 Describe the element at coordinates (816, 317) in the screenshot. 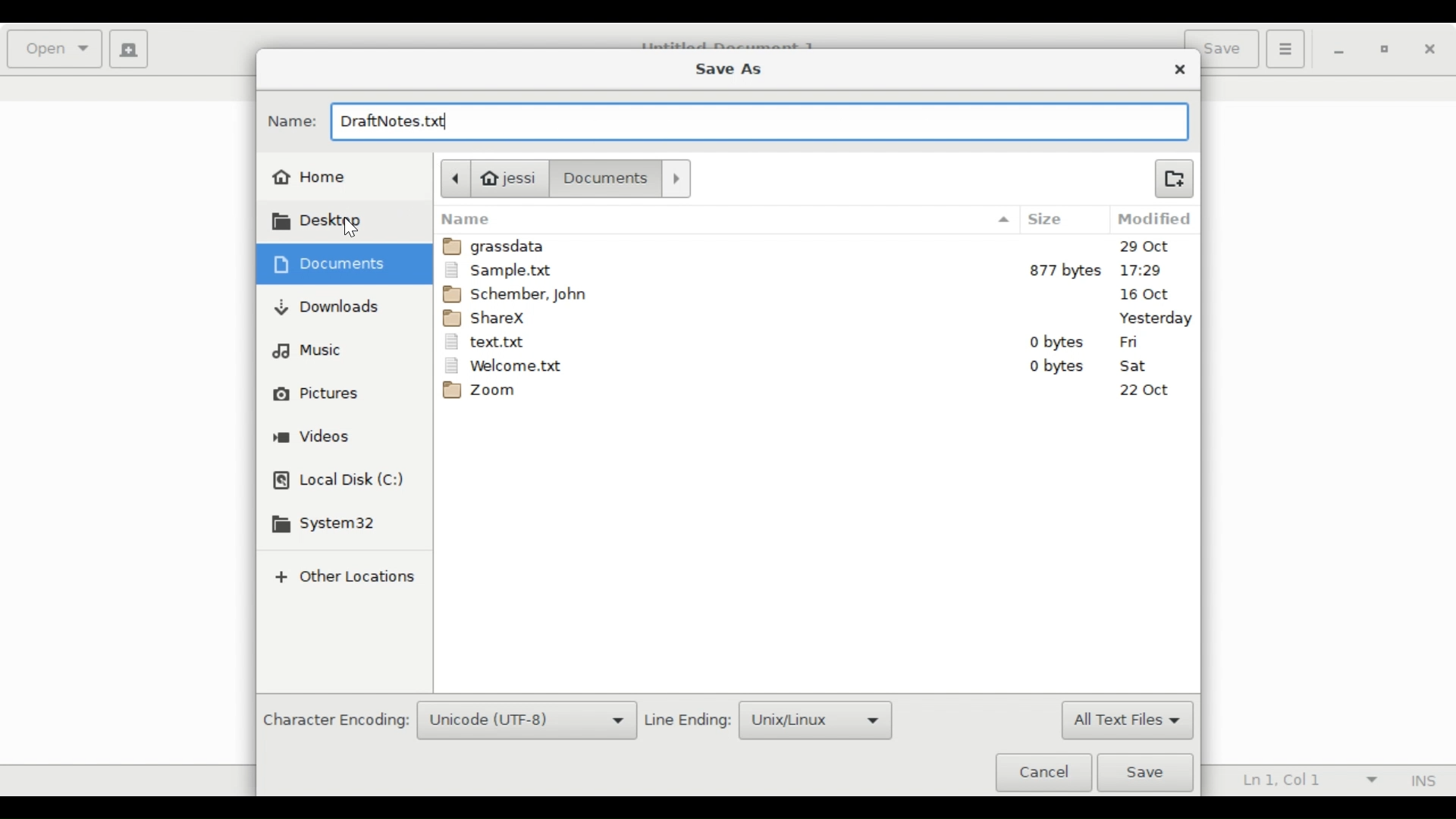

I see `ShareX Yesterday` at that location.